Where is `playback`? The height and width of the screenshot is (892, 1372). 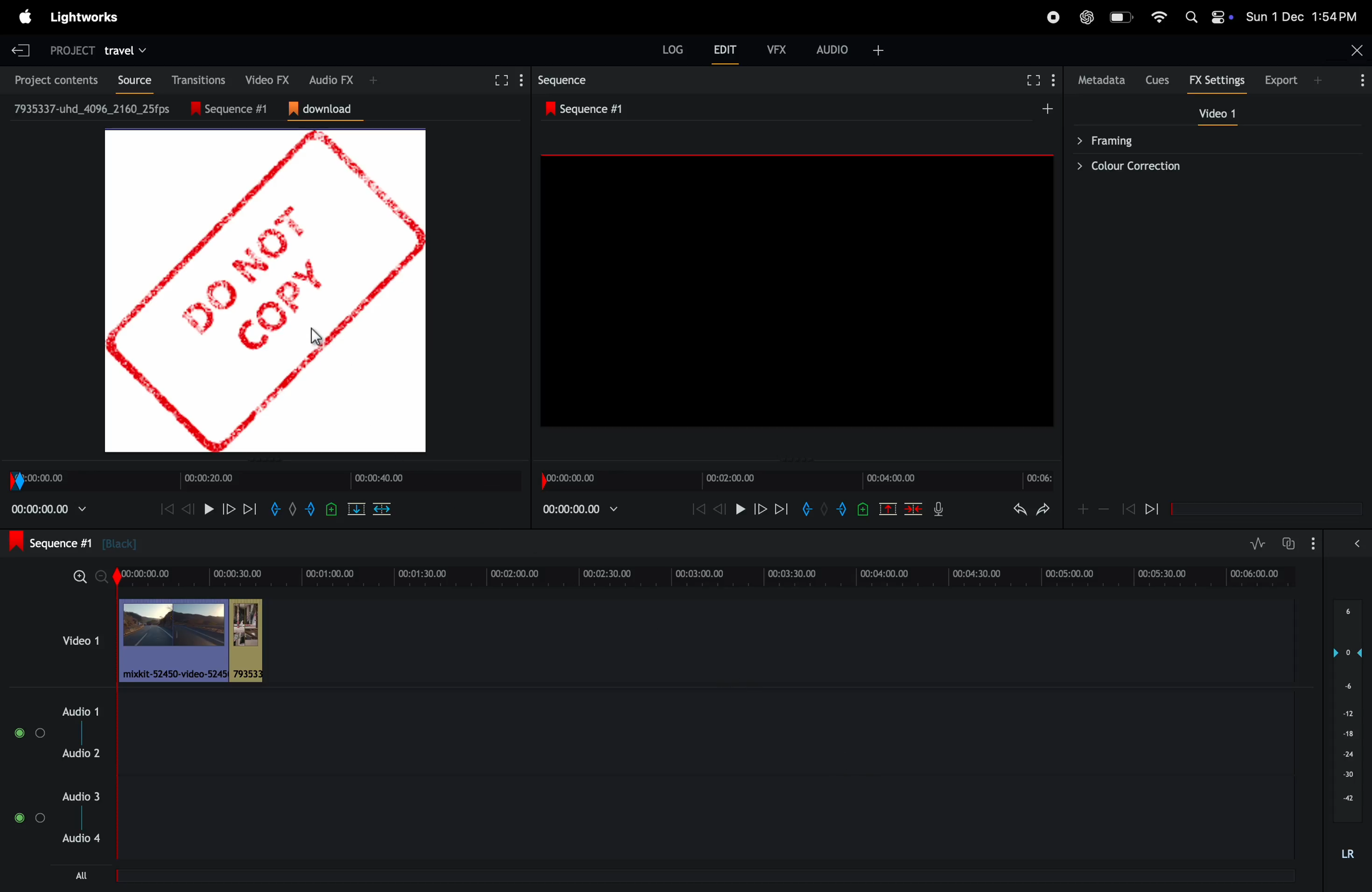 playback is located at coordinates (49, 509).